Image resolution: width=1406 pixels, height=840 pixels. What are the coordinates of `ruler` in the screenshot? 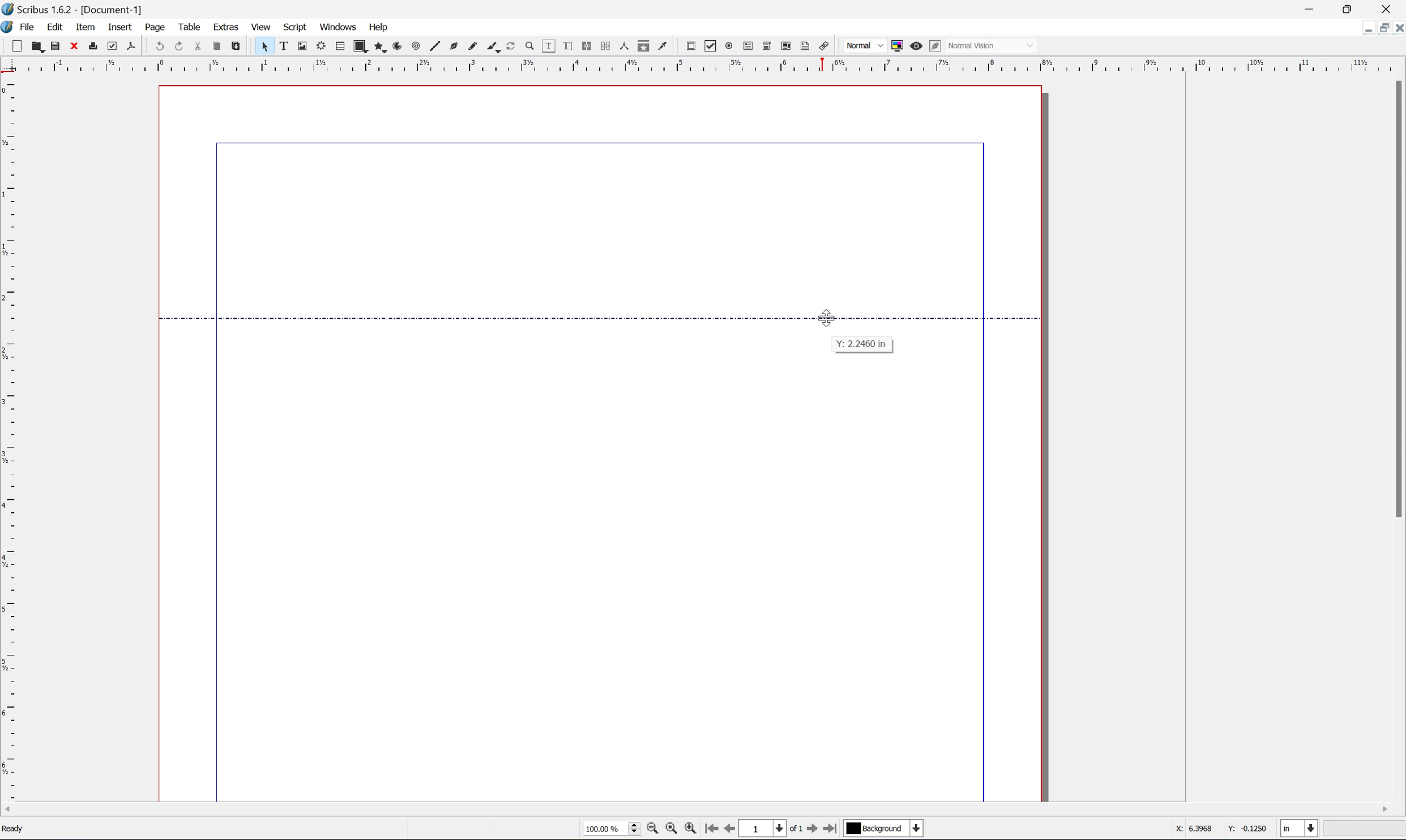 It's located at (9, 440).